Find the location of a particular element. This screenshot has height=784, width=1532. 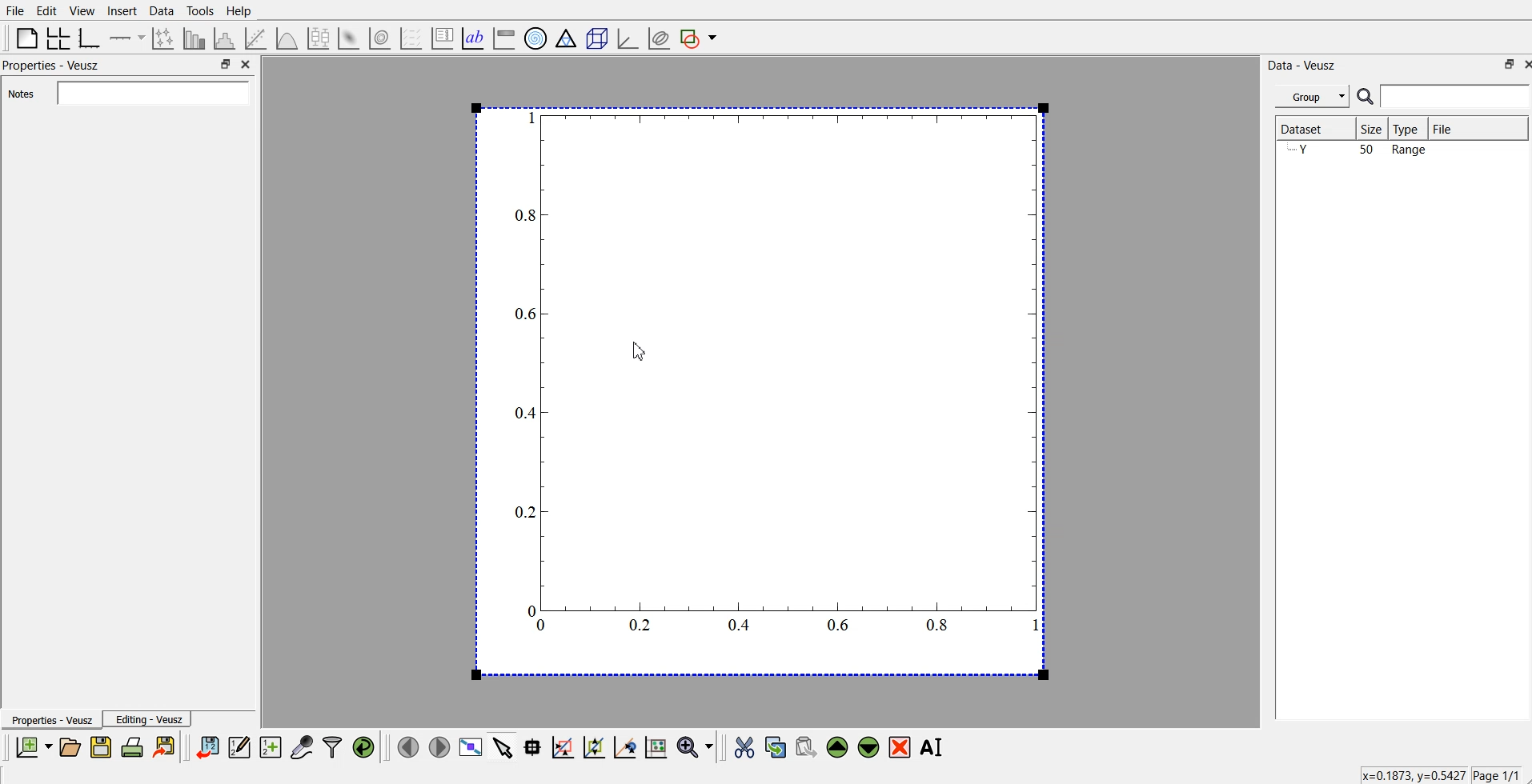

remove the selected widgets is located at coordinates (900, 748).